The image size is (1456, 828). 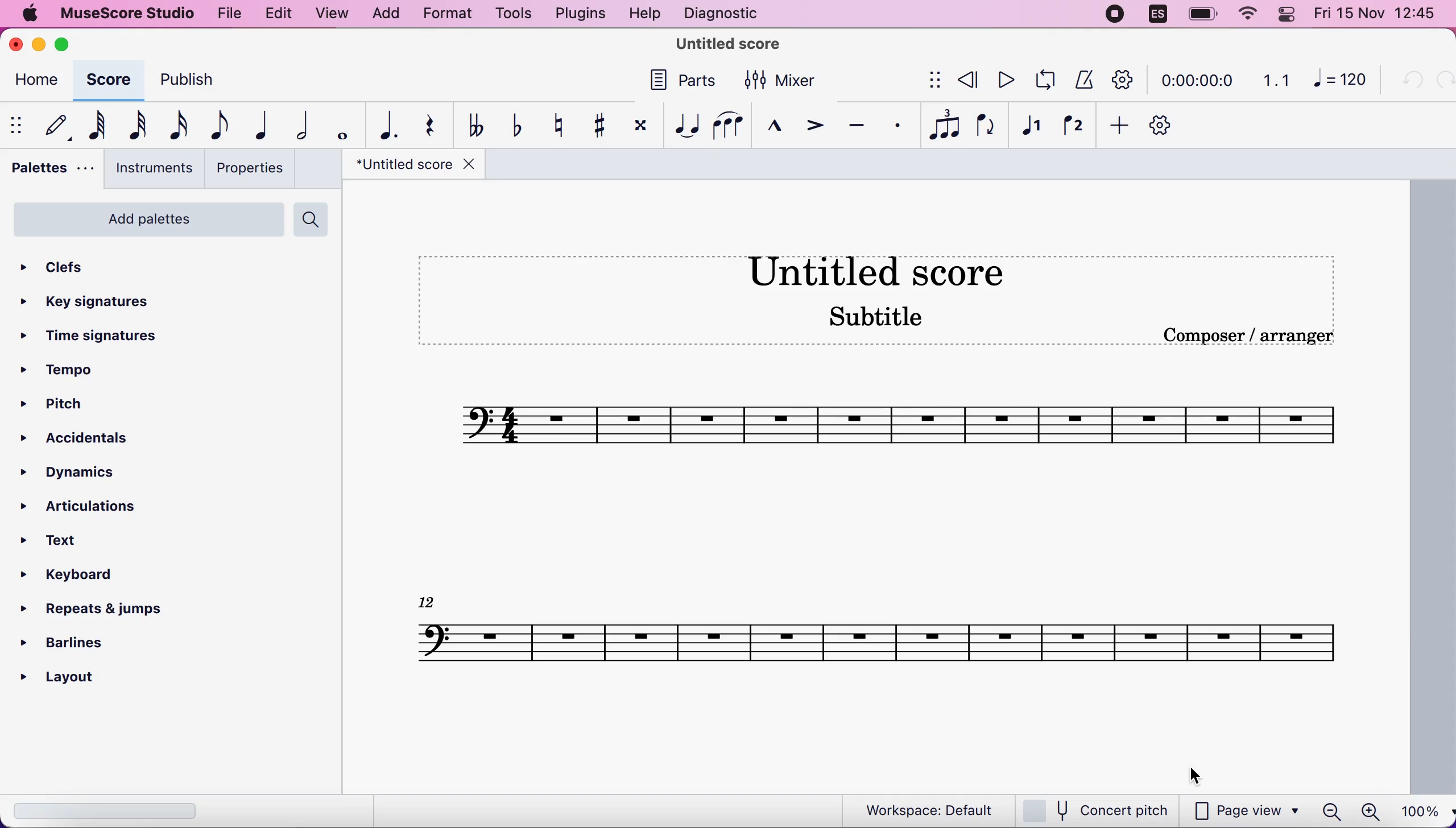 I want to click on 1.1 time, so click(x=1276, y=81).